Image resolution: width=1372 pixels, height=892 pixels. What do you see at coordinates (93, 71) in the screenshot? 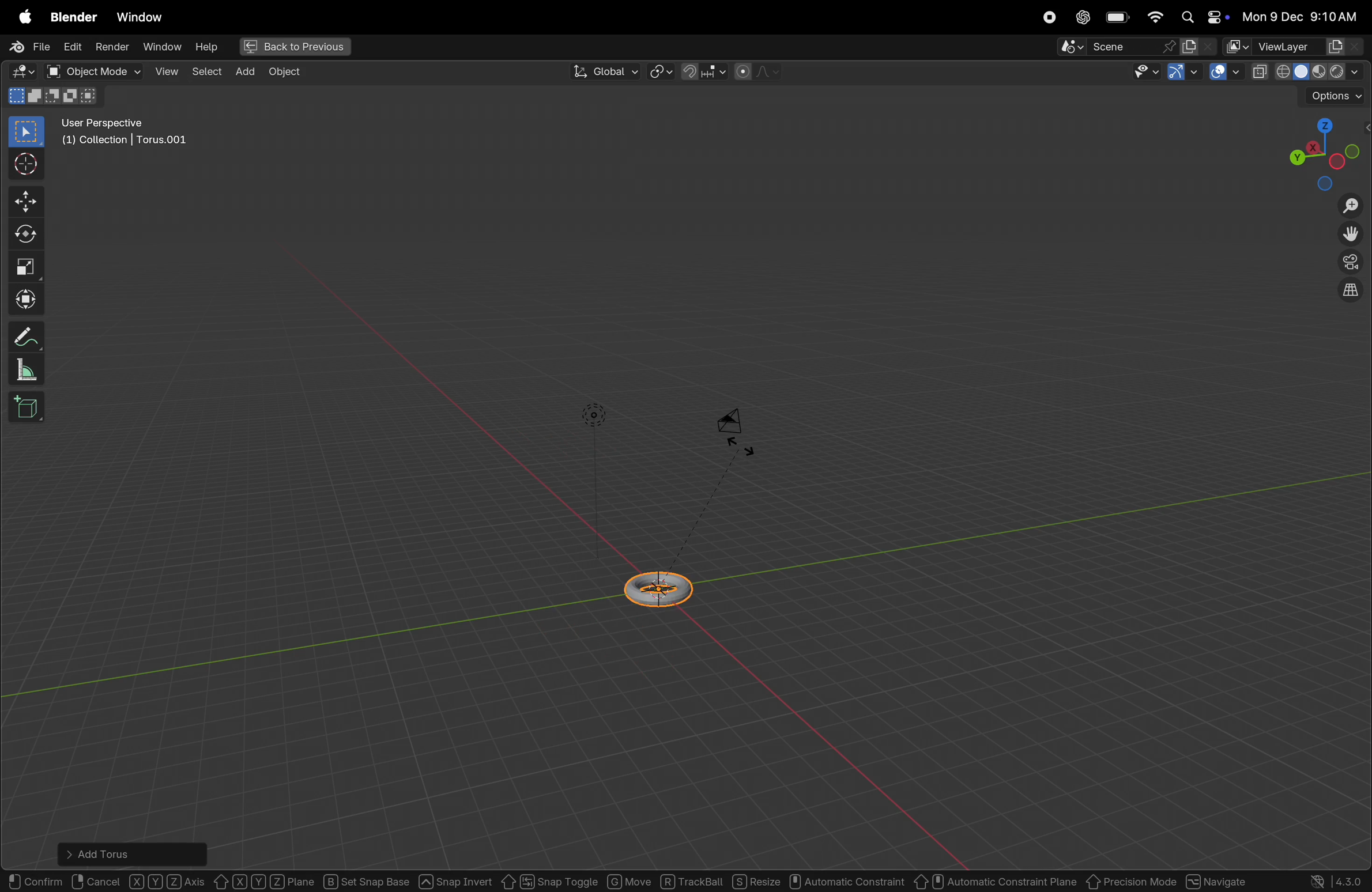
I see `object mode` at bounding box center [93, 71].